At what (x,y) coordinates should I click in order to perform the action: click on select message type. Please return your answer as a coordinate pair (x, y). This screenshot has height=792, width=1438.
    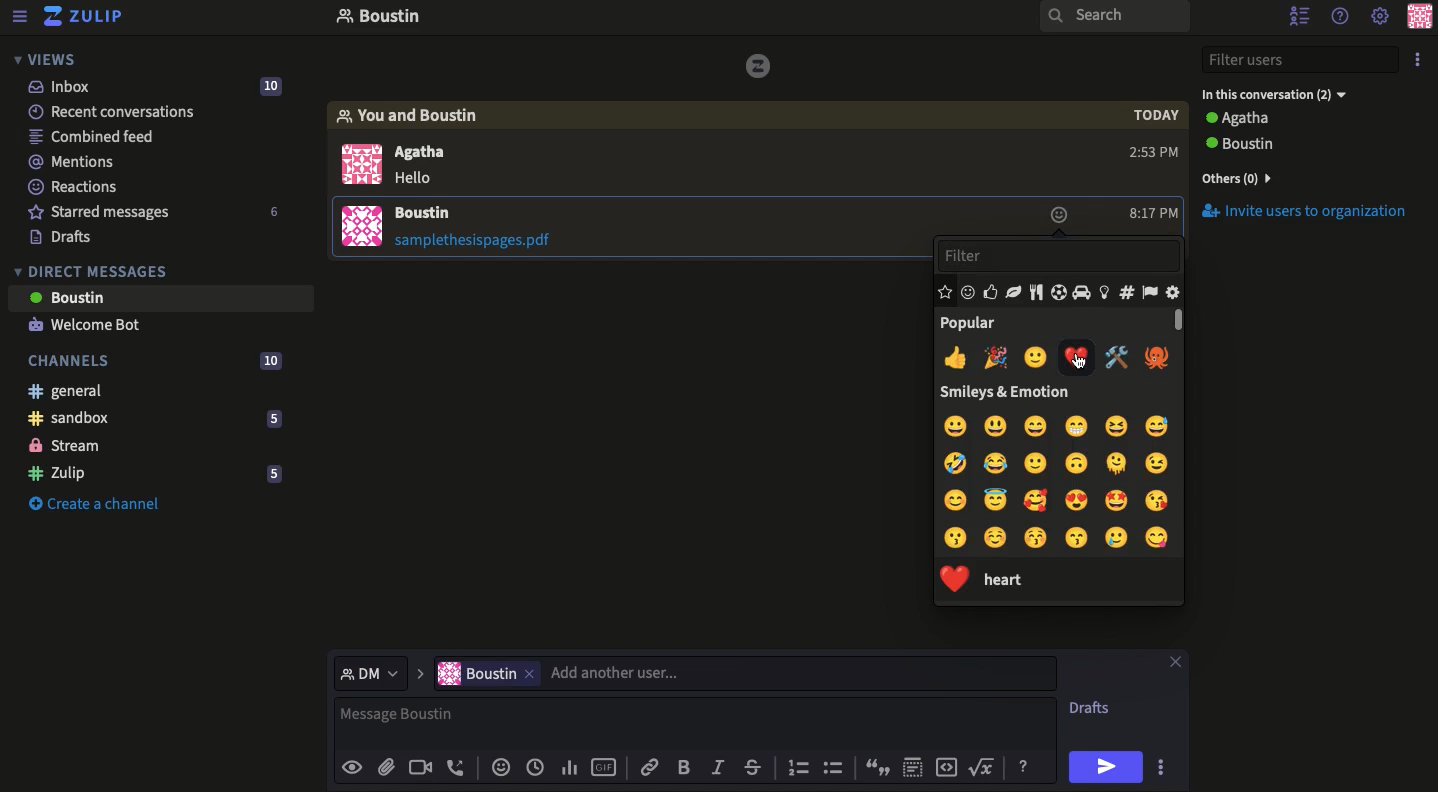
    Looking at the image, I should click on (372, 672).